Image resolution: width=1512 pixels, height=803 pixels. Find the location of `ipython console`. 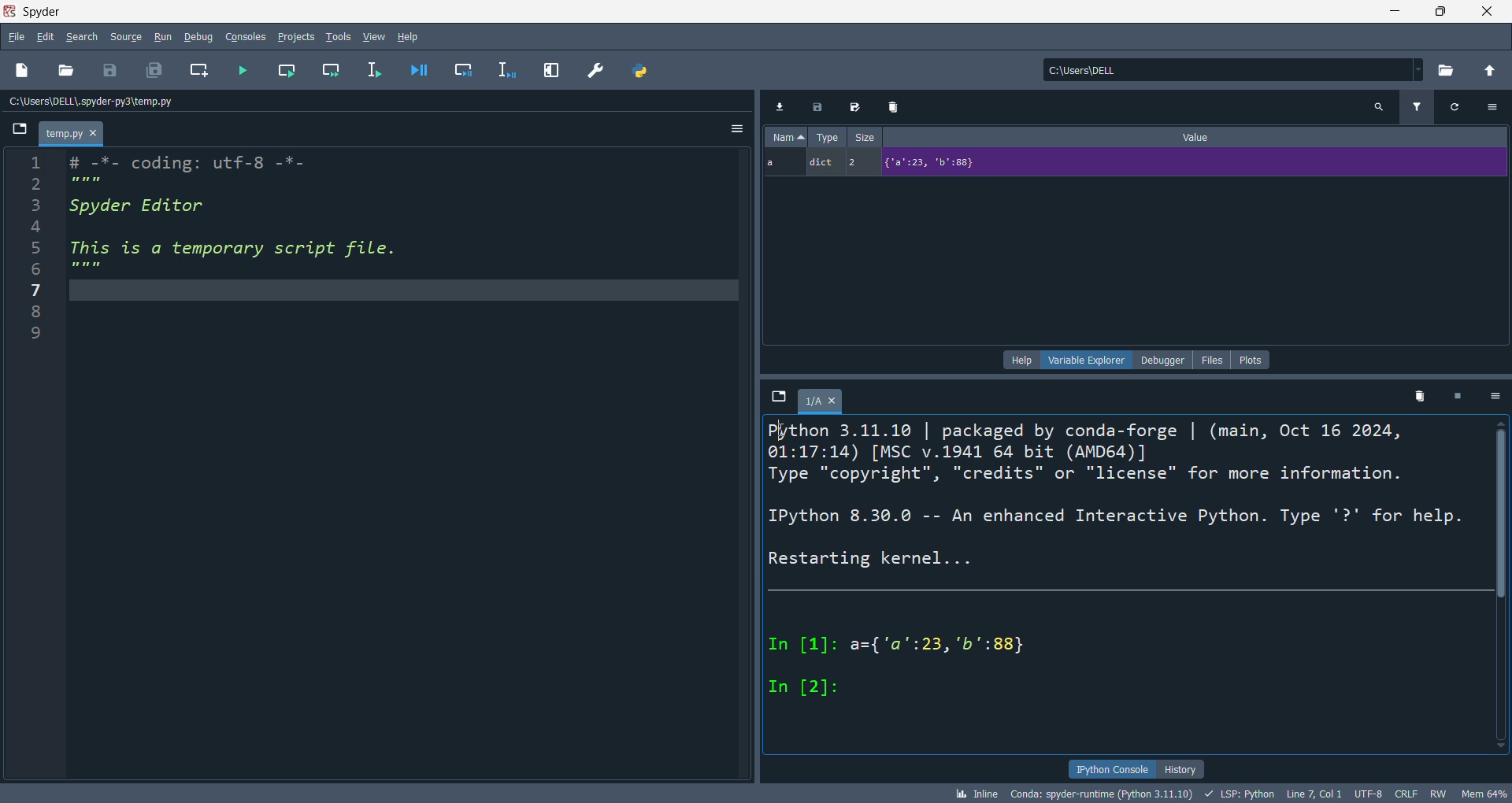

ipython console is located at coordinates (1109, 768).